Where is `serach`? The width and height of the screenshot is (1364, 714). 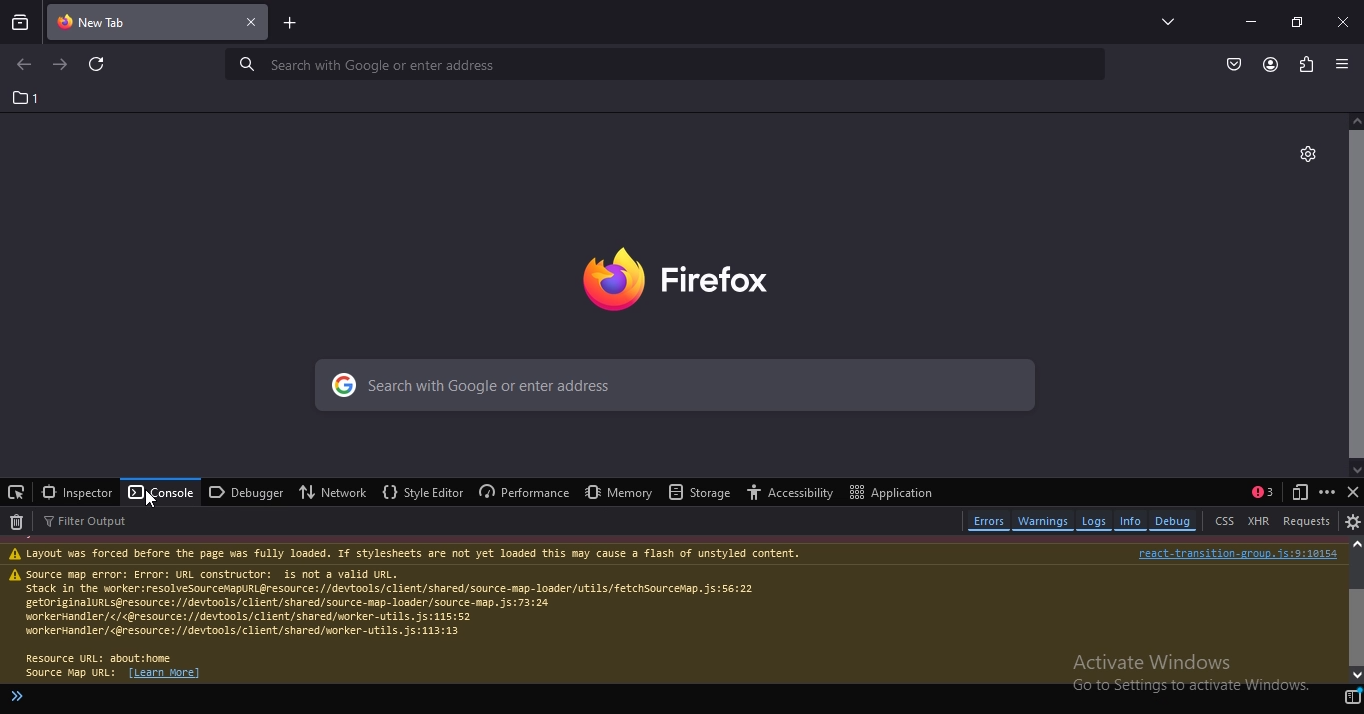
serach is located at coordinates (657, 64).